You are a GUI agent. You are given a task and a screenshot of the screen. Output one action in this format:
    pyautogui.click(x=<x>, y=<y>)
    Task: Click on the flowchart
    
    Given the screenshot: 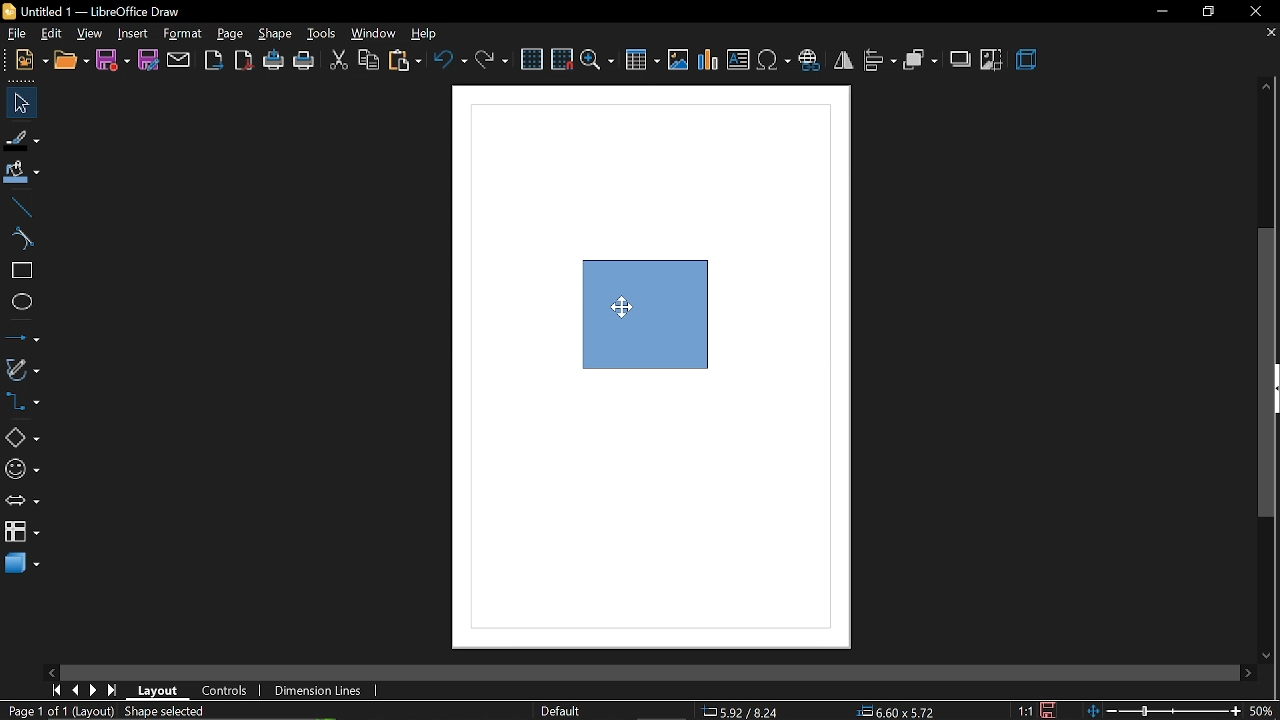 What is the action you would take?
    pyautogui.click(x=21, y=530)
    